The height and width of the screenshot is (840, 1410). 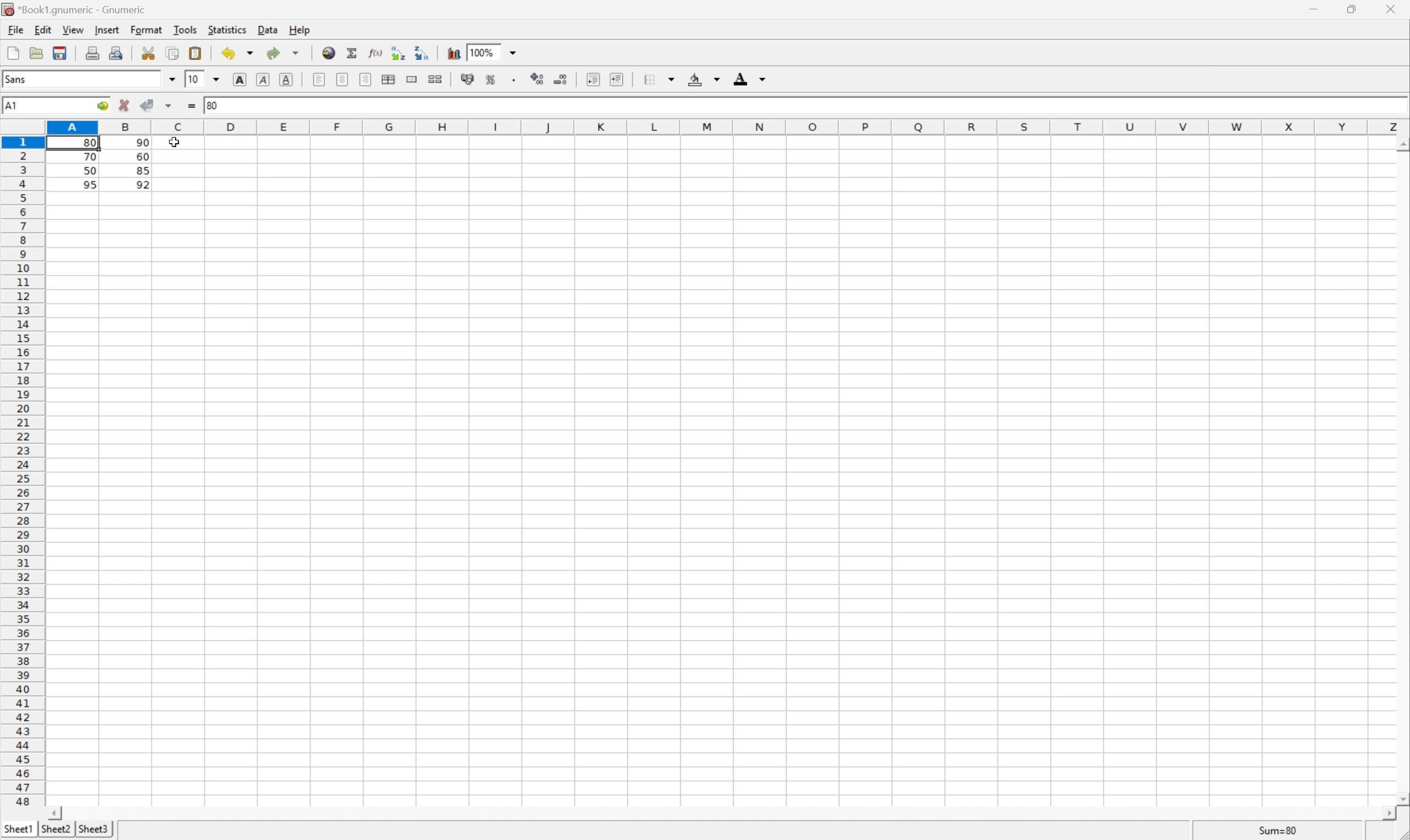 What do you see at coordinates (240, 78) in the screenshot?
I see `Bold` at bounding box center [240, 78].